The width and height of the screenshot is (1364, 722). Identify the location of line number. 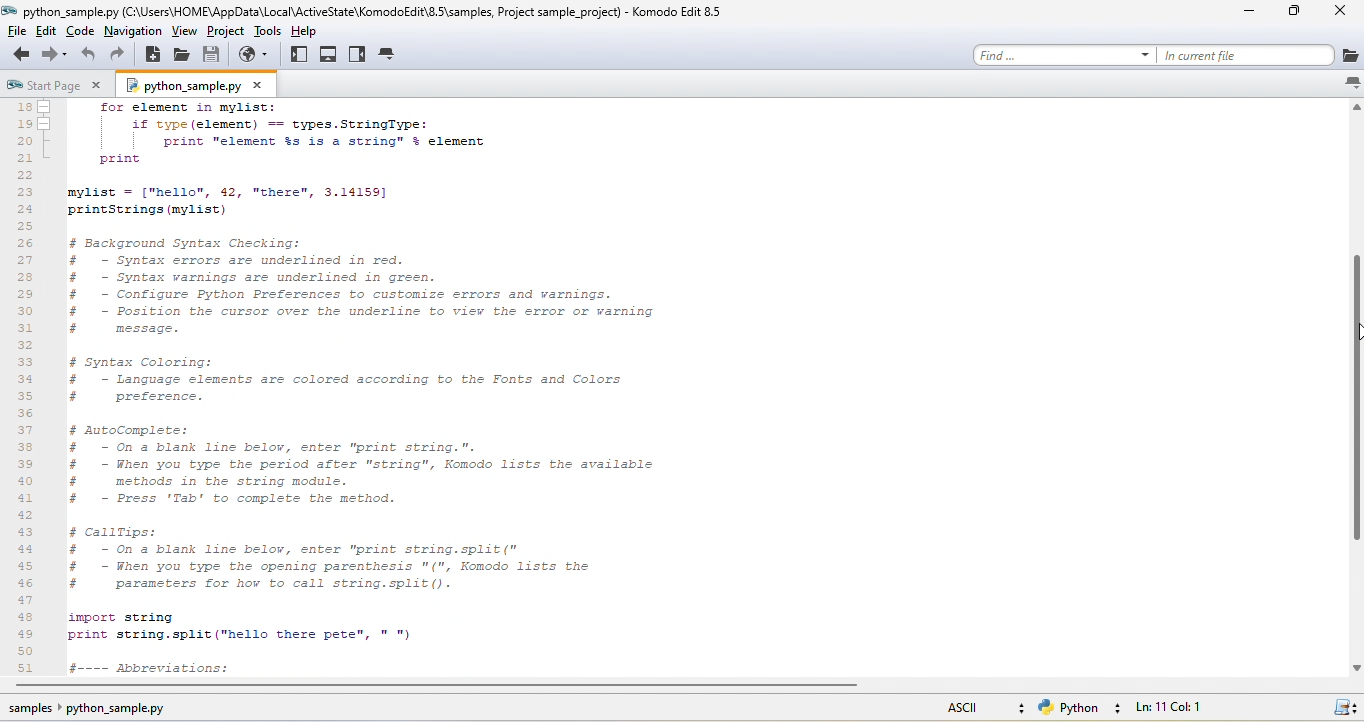
(28, 387).